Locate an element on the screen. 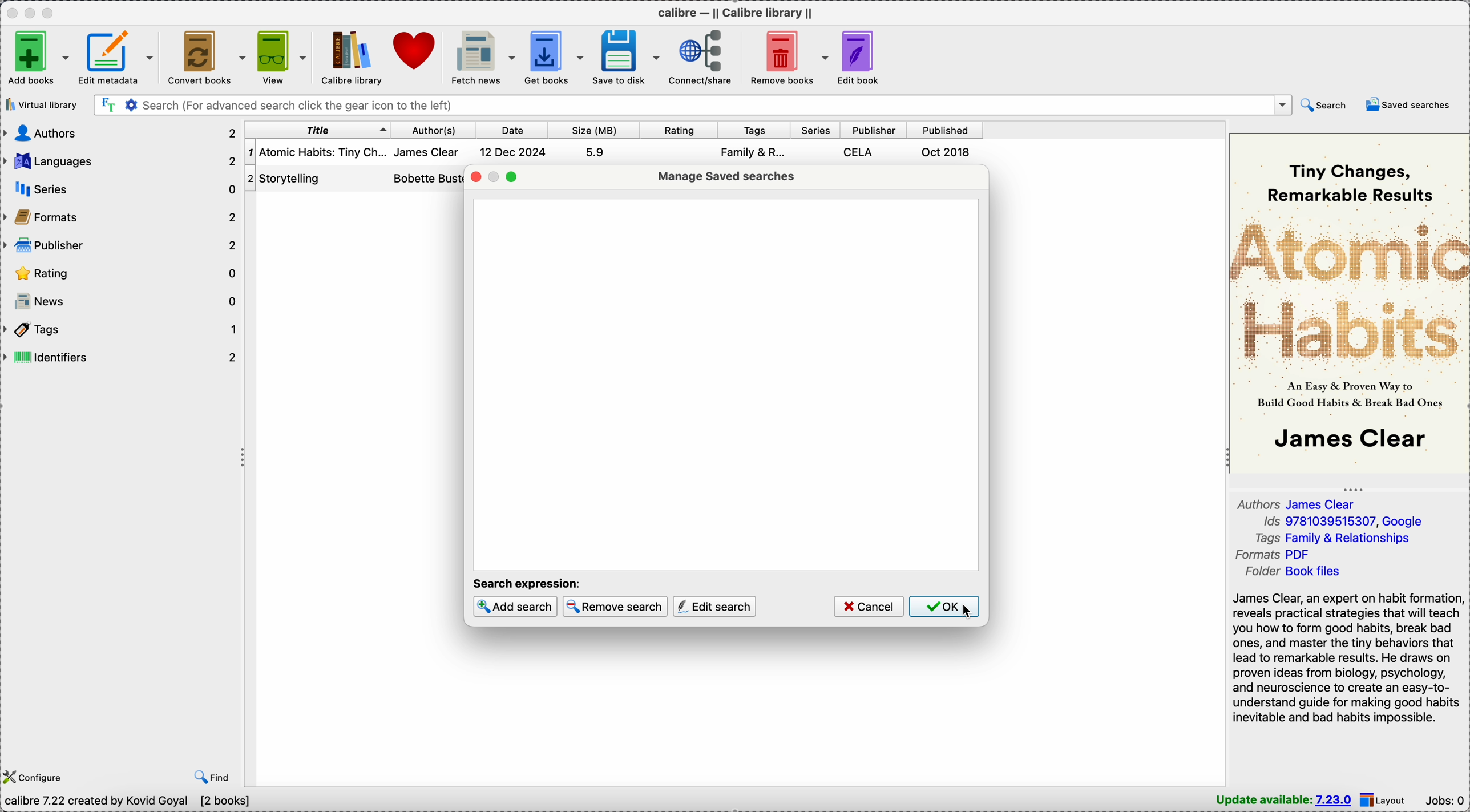 The height and width of the screenshot is (812, 1470). fetch news is located at coordinates (479, 56).